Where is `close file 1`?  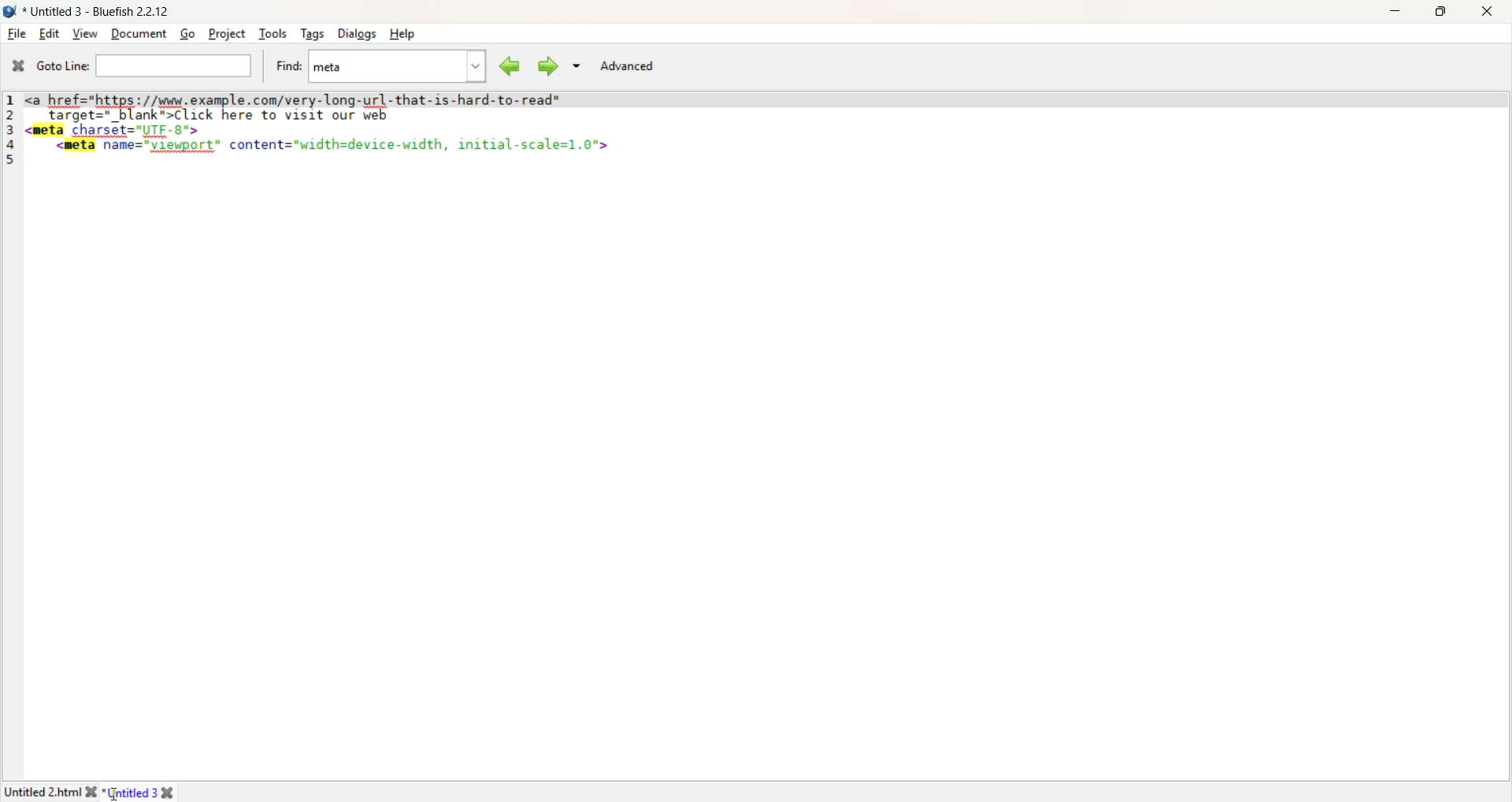
close file 1 is located at coordinates (89, 792).